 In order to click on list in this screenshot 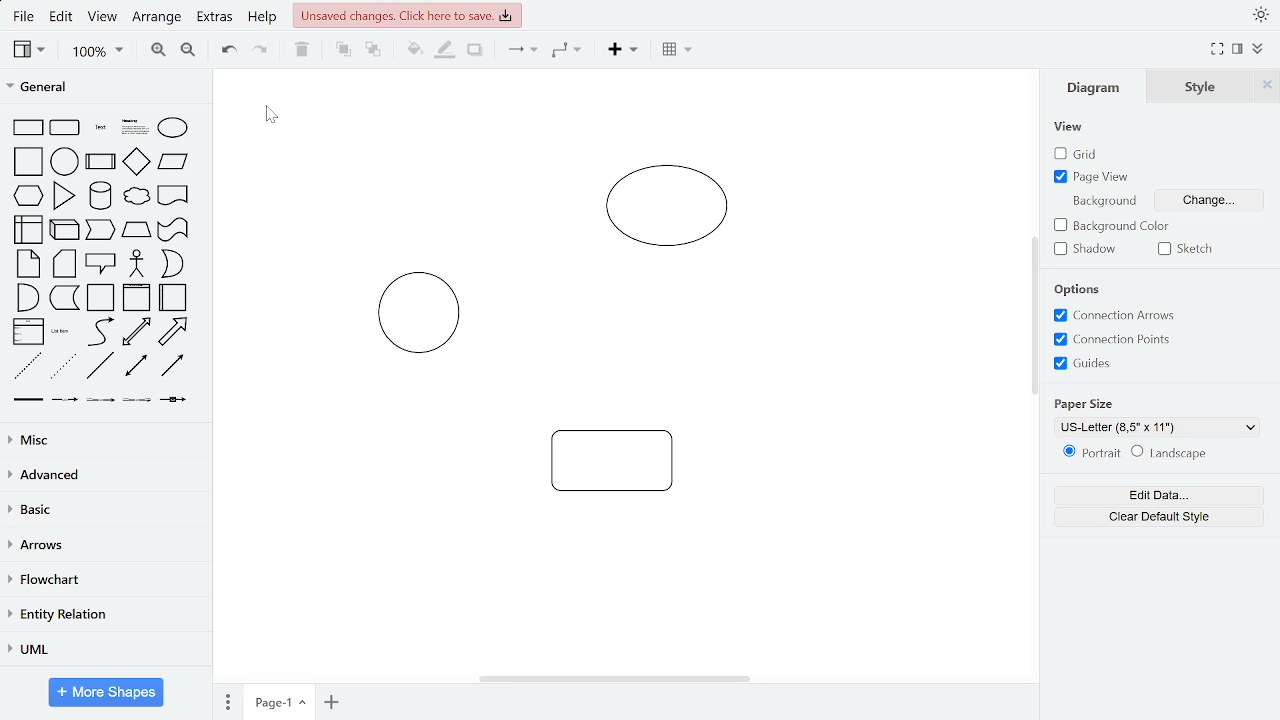, I will do `click(29, 331)`.